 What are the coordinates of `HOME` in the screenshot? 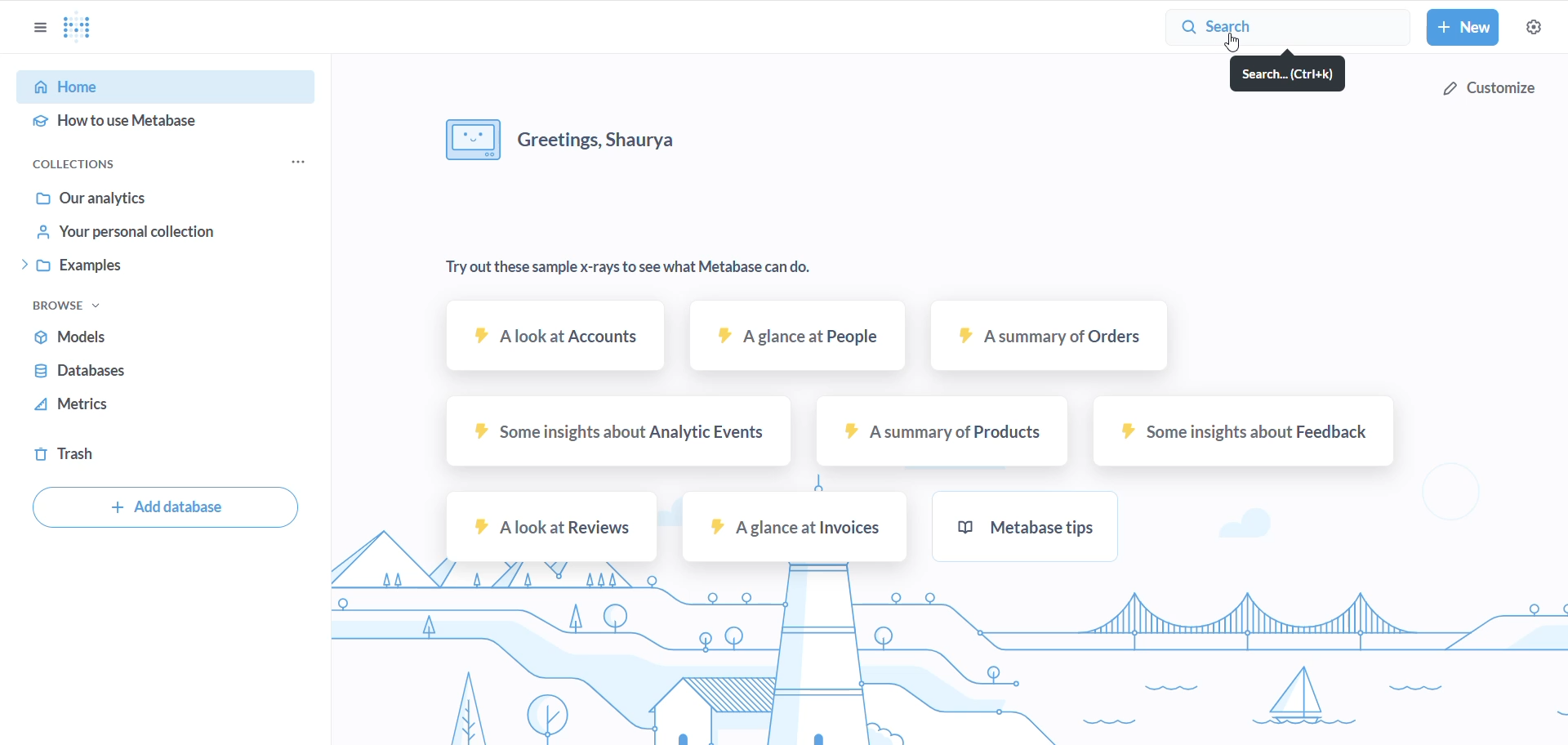 It's located at (159, 87).